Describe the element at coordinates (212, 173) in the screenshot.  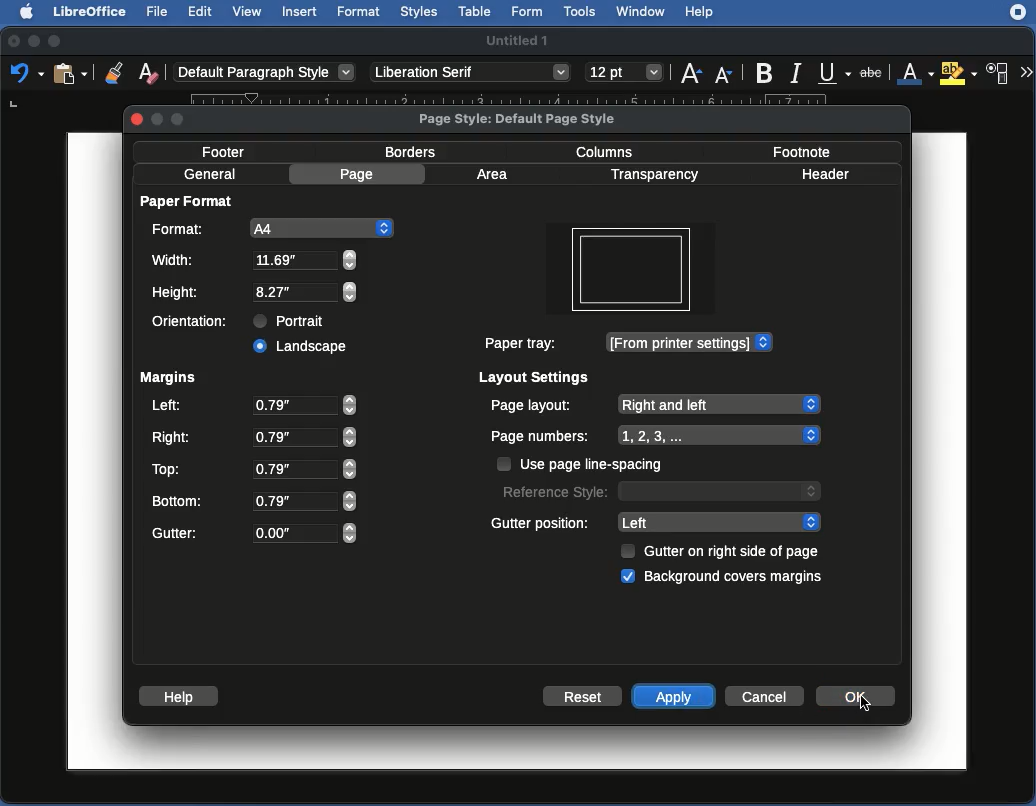
I see `General` at that location.